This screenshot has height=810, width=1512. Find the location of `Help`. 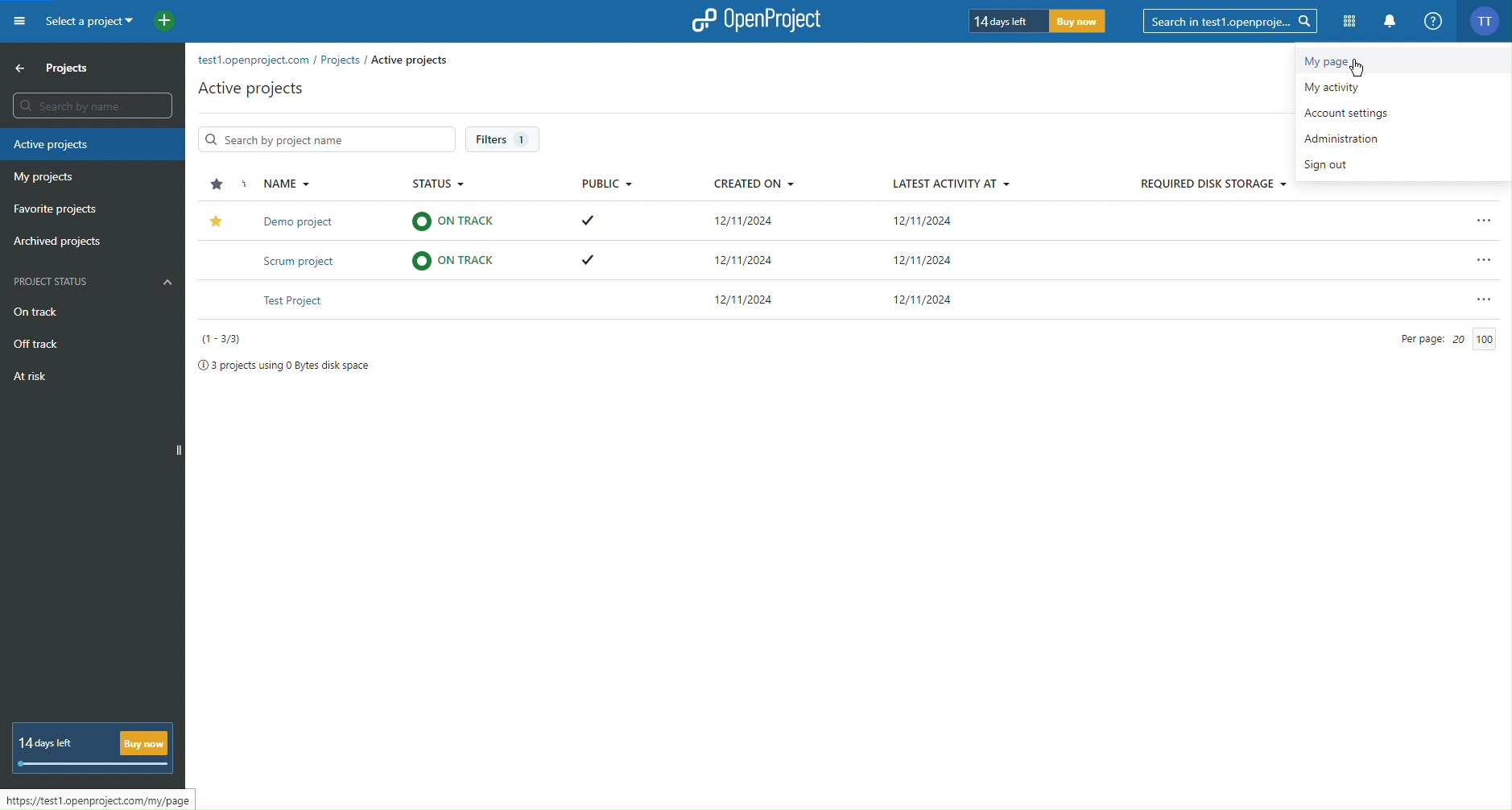

Help is located at coordinates (1433, 22).